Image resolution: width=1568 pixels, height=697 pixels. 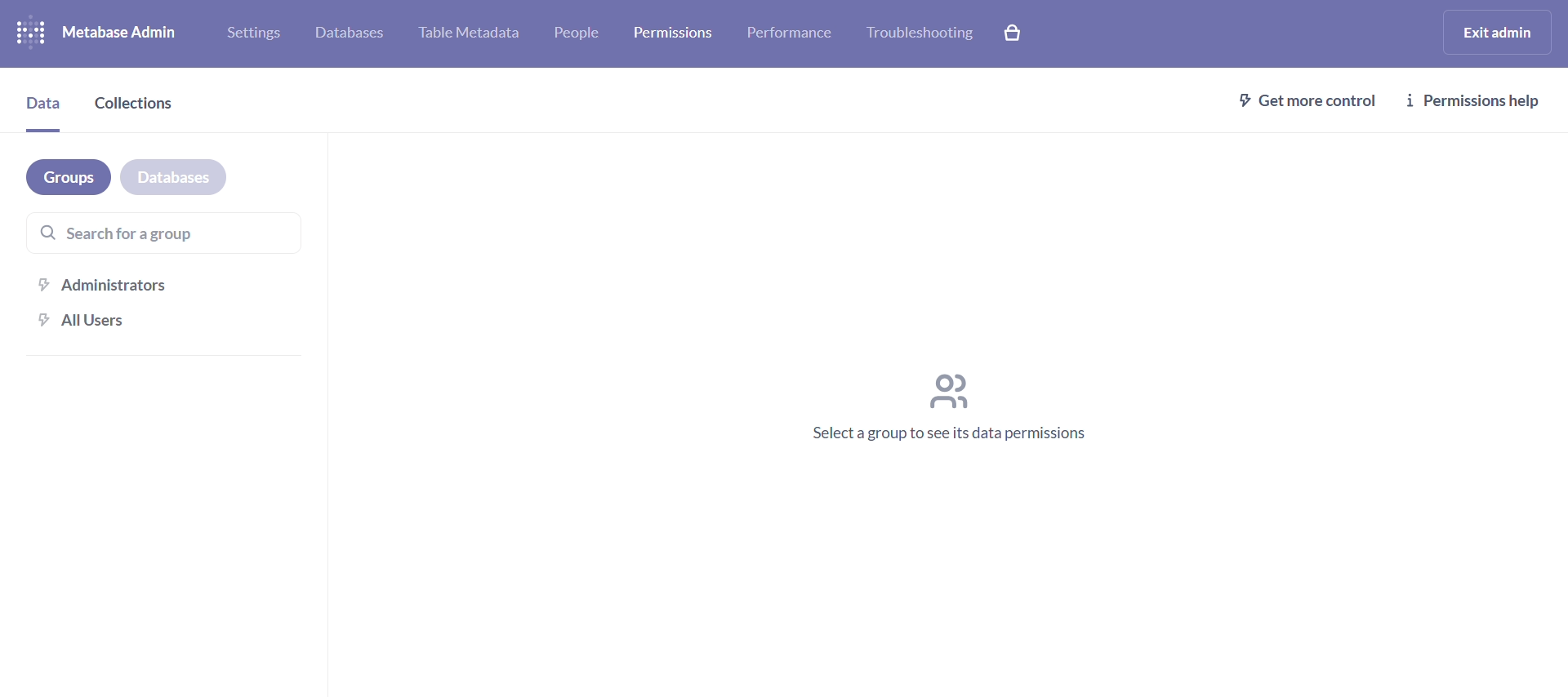 What do you see at coordinates (168, 329) in the screenshot?
I see `all users` at bounding box center [168, 329].